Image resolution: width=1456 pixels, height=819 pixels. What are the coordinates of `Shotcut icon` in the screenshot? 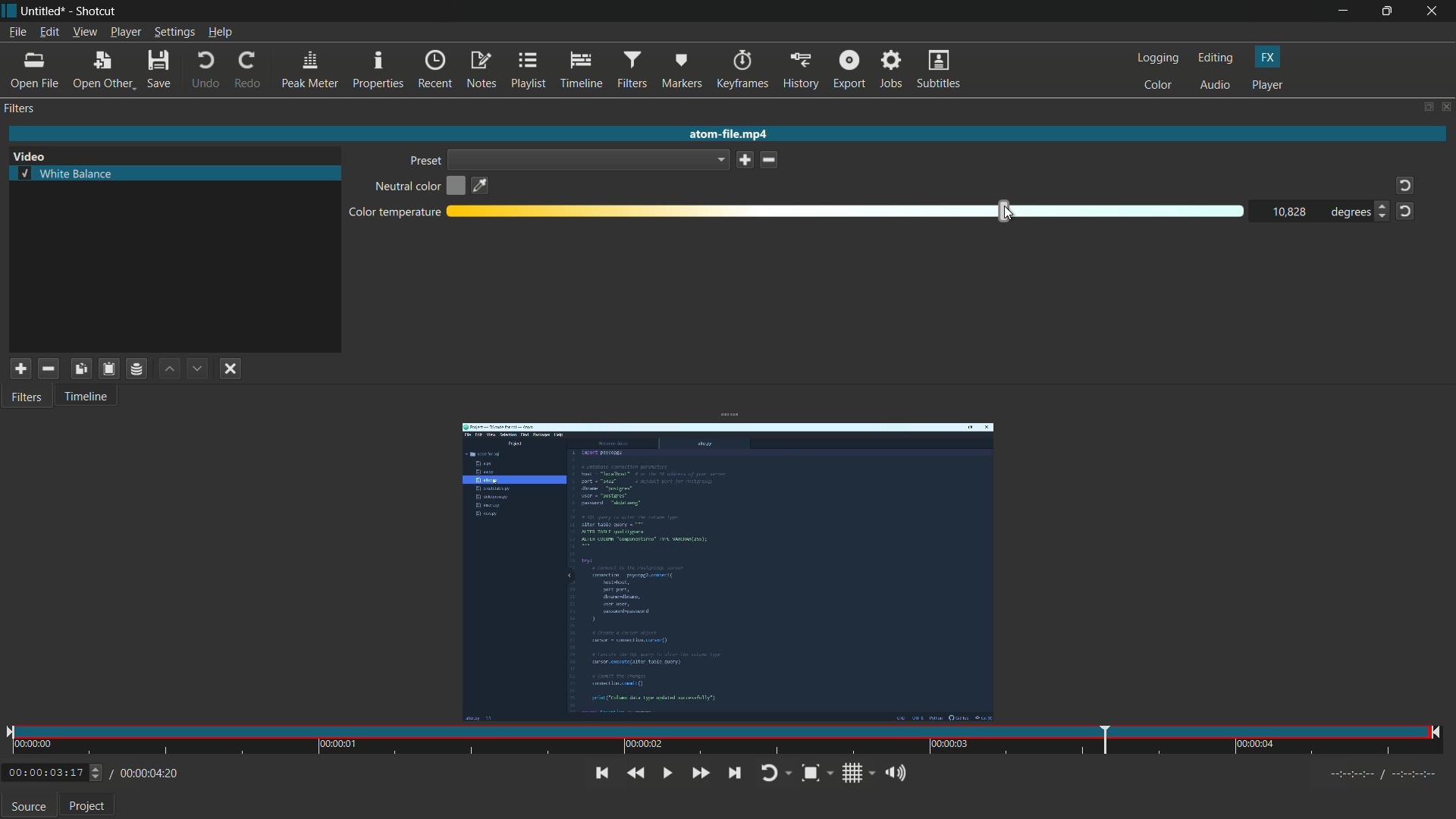 It's located at (8, 11).